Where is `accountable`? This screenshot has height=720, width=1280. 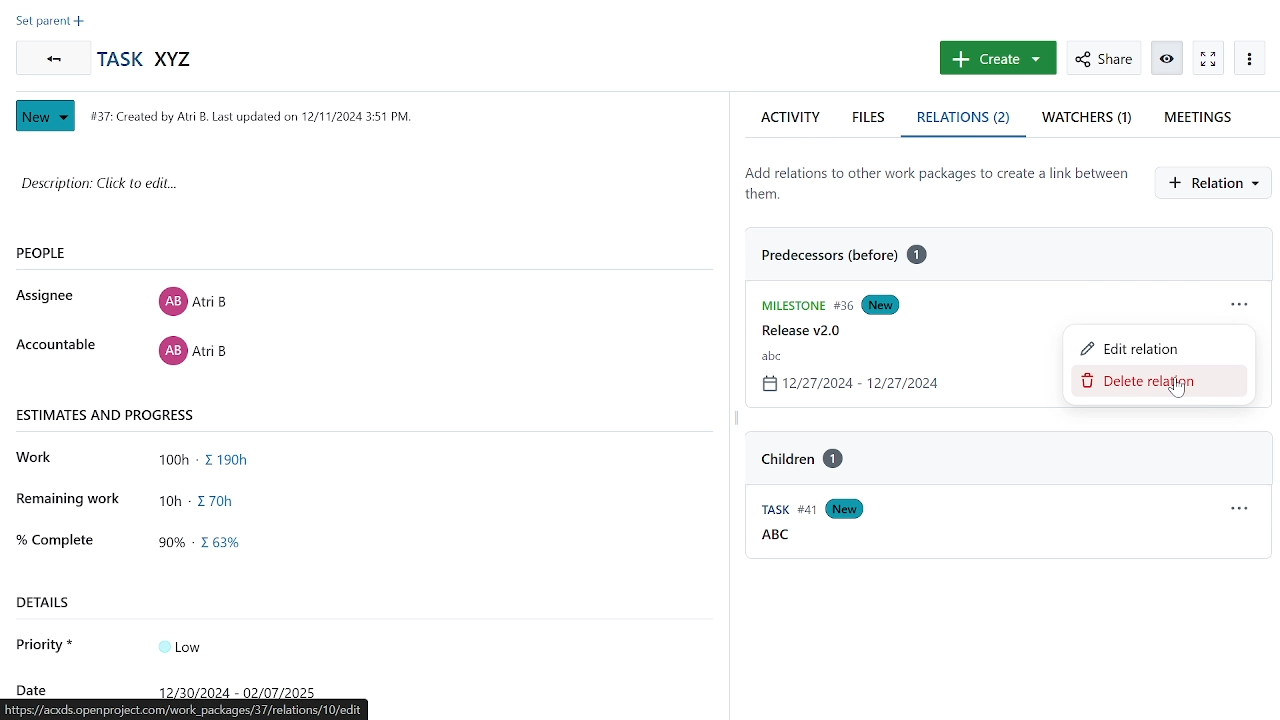
accountable is located at coordinates (192, 354).